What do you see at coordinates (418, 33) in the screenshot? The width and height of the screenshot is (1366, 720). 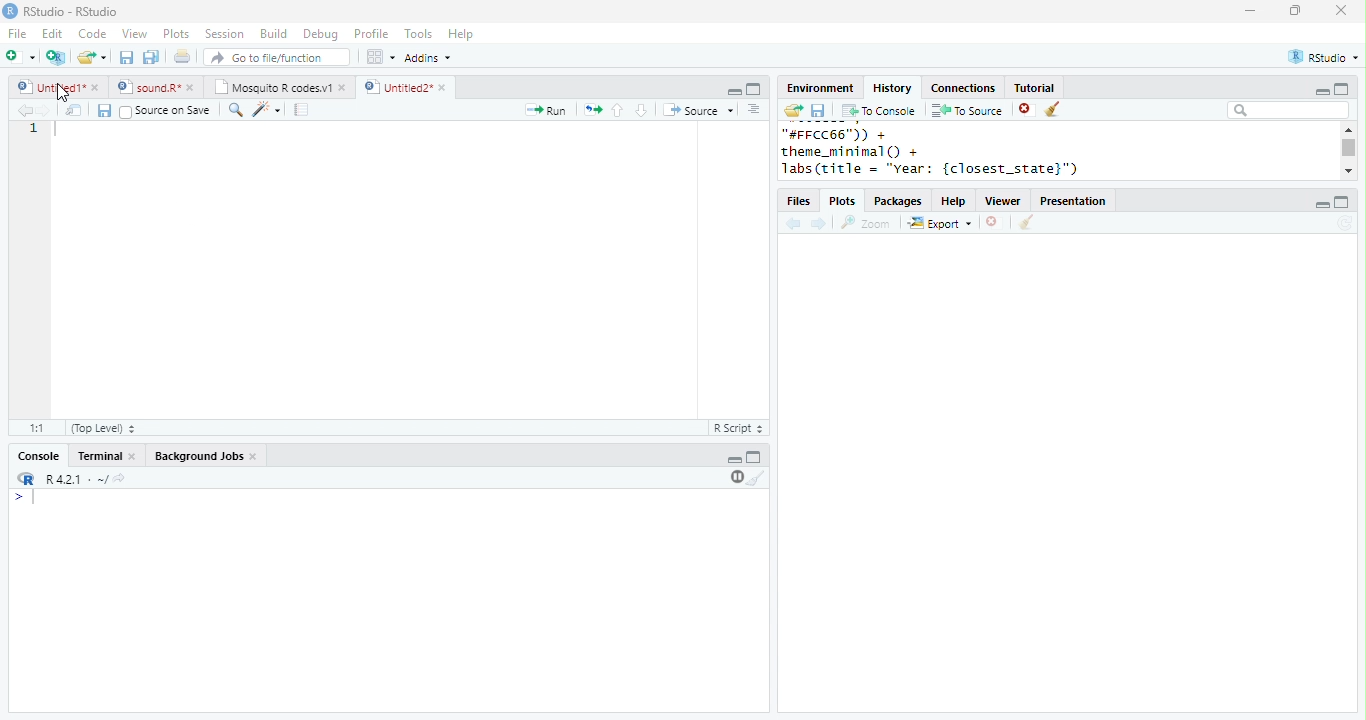 I see `Tools` at bounding box center [418, 33].